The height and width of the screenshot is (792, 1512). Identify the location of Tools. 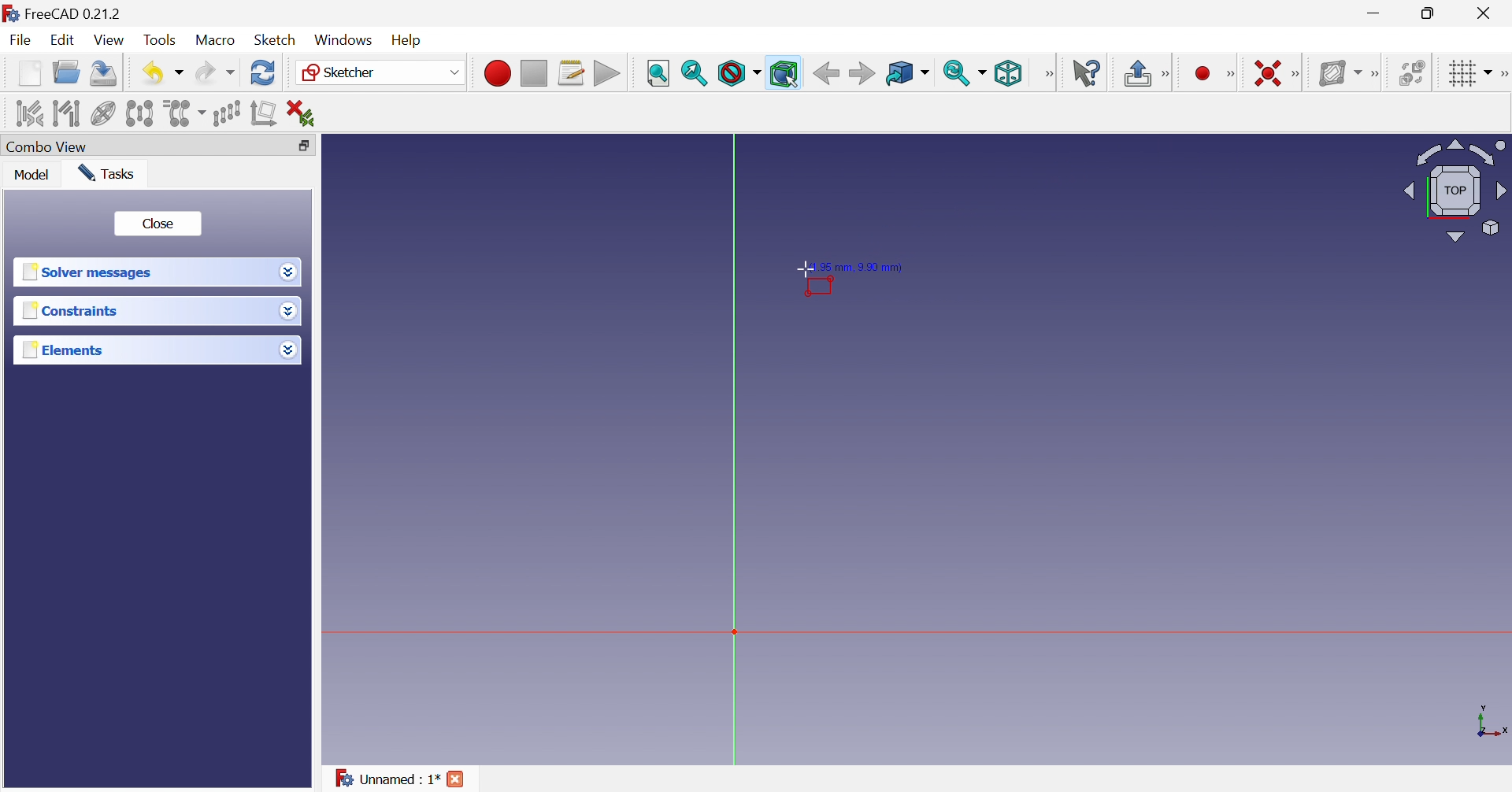
(159, 41).